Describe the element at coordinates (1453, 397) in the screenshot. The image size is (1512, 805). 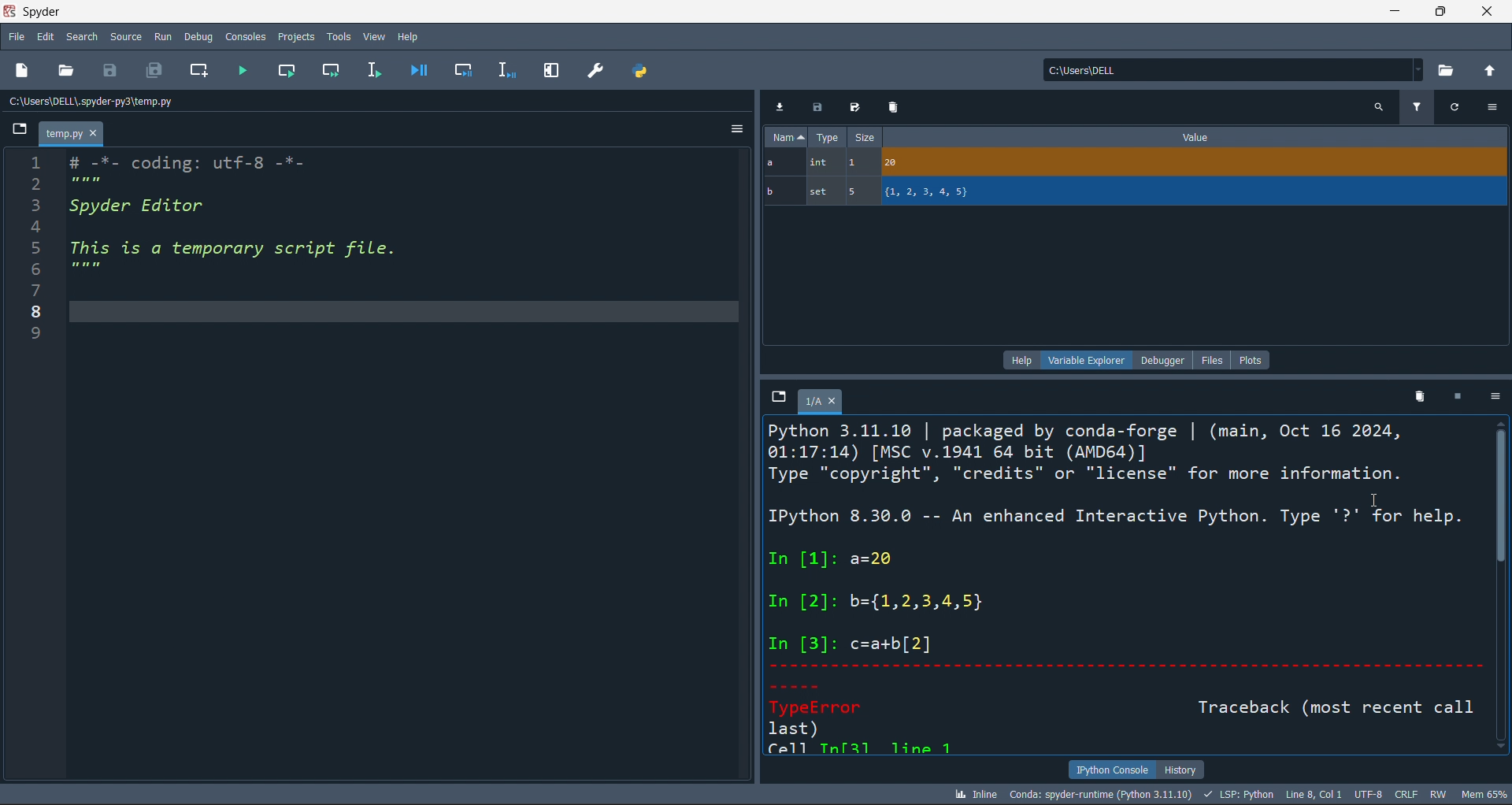
I see `close kernel` at that location.